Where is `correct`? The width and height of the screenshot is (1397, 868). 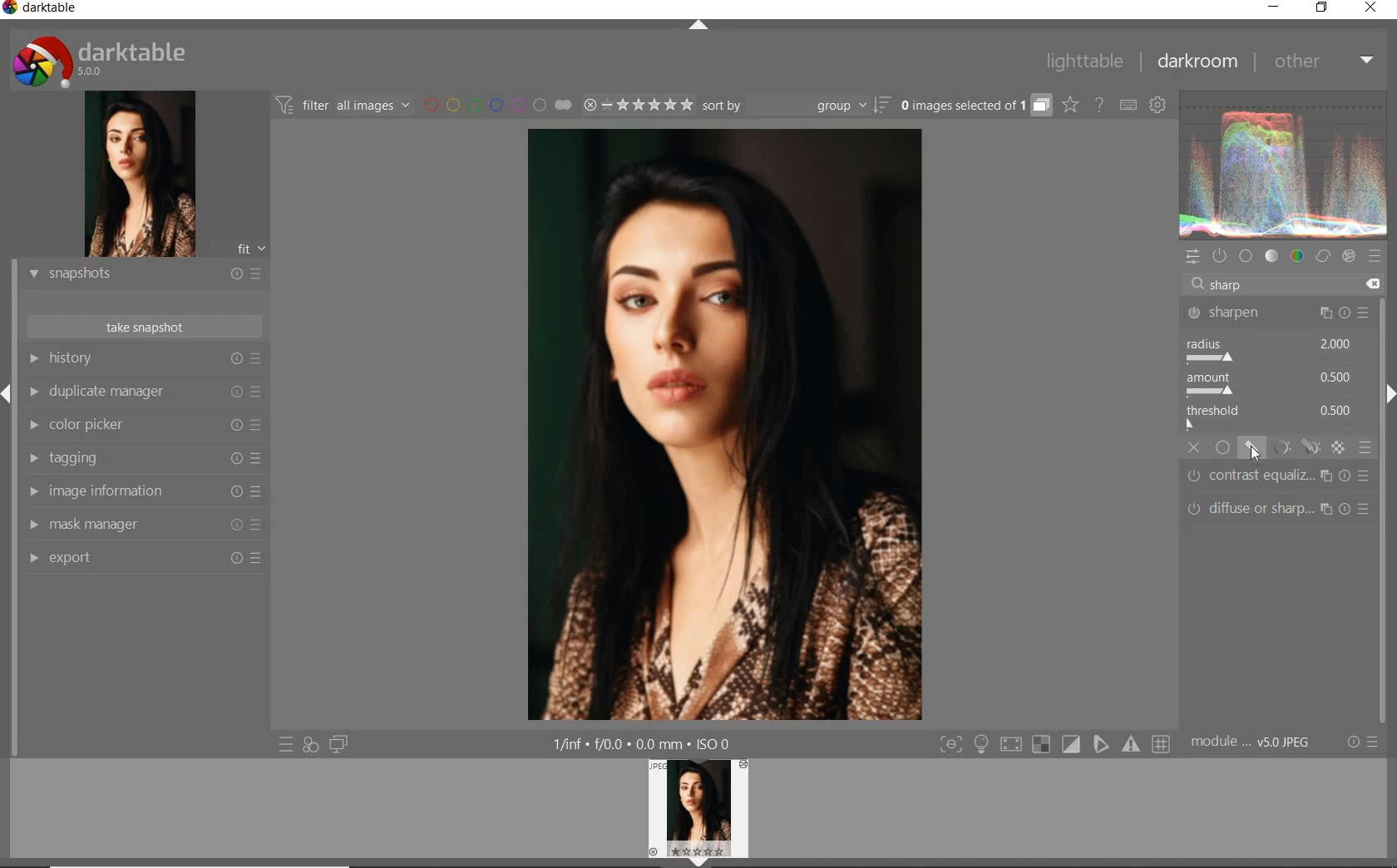
correct is located at coordinates (1323, 257).